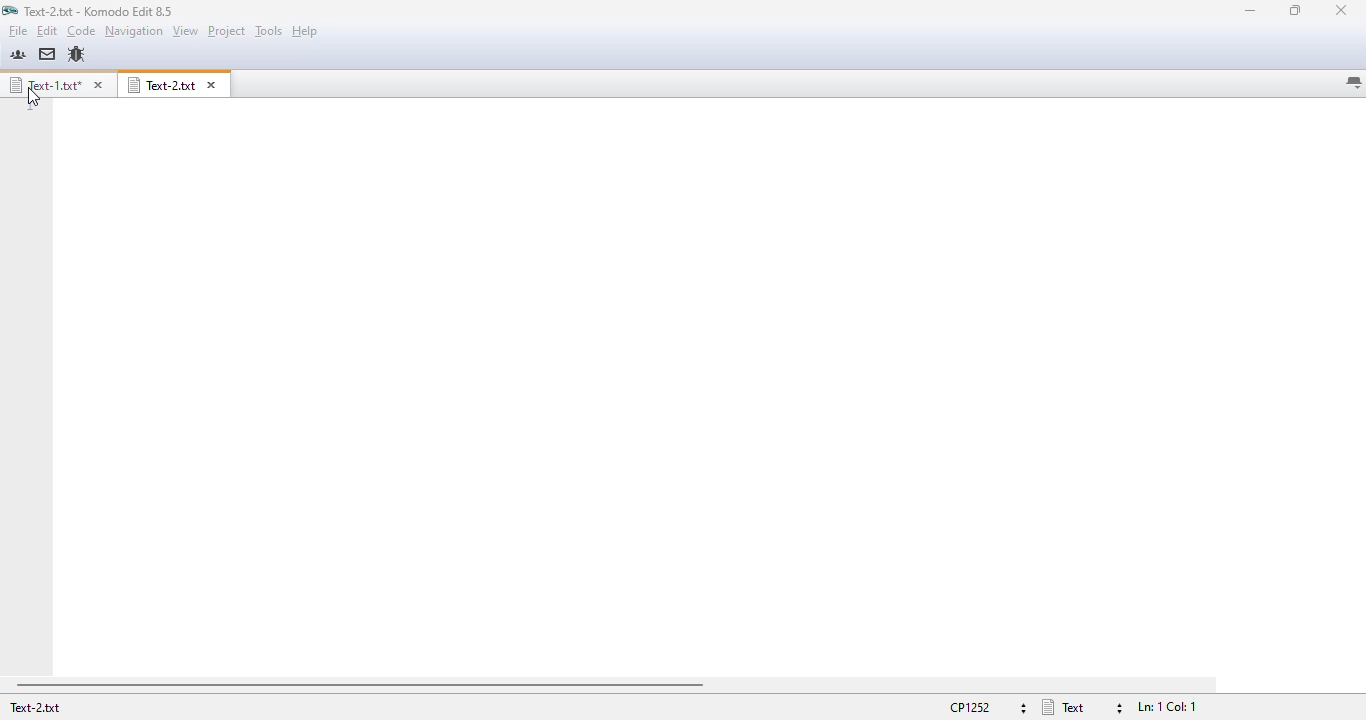 The width and height of the screenshot is (1366, 720). What do you see at coordinates (305, 32) in the screenshot?
I see `help` at bounding box center [305, 32].